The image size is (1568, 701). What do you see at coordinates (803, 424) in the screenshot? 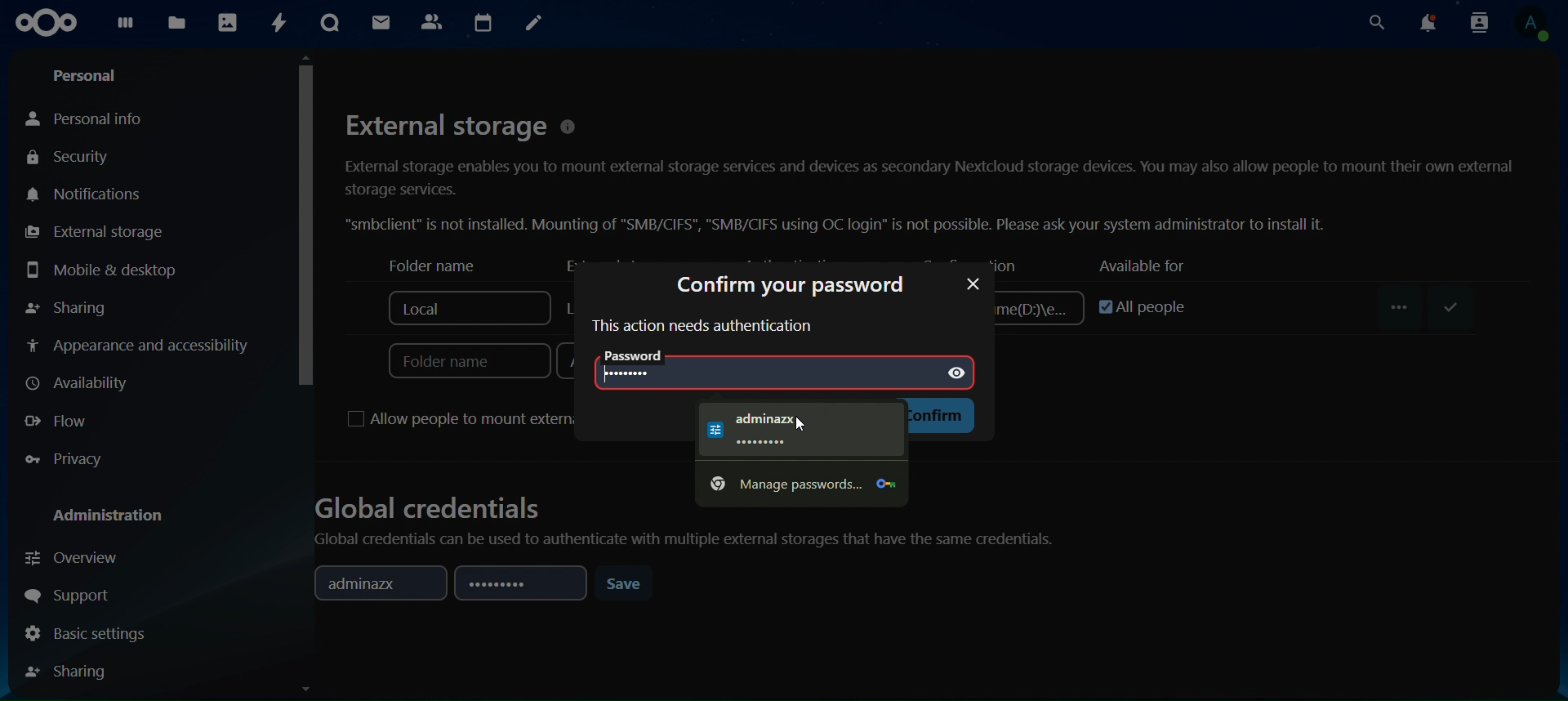
I see `cursor` at bounding box center [803, 424].